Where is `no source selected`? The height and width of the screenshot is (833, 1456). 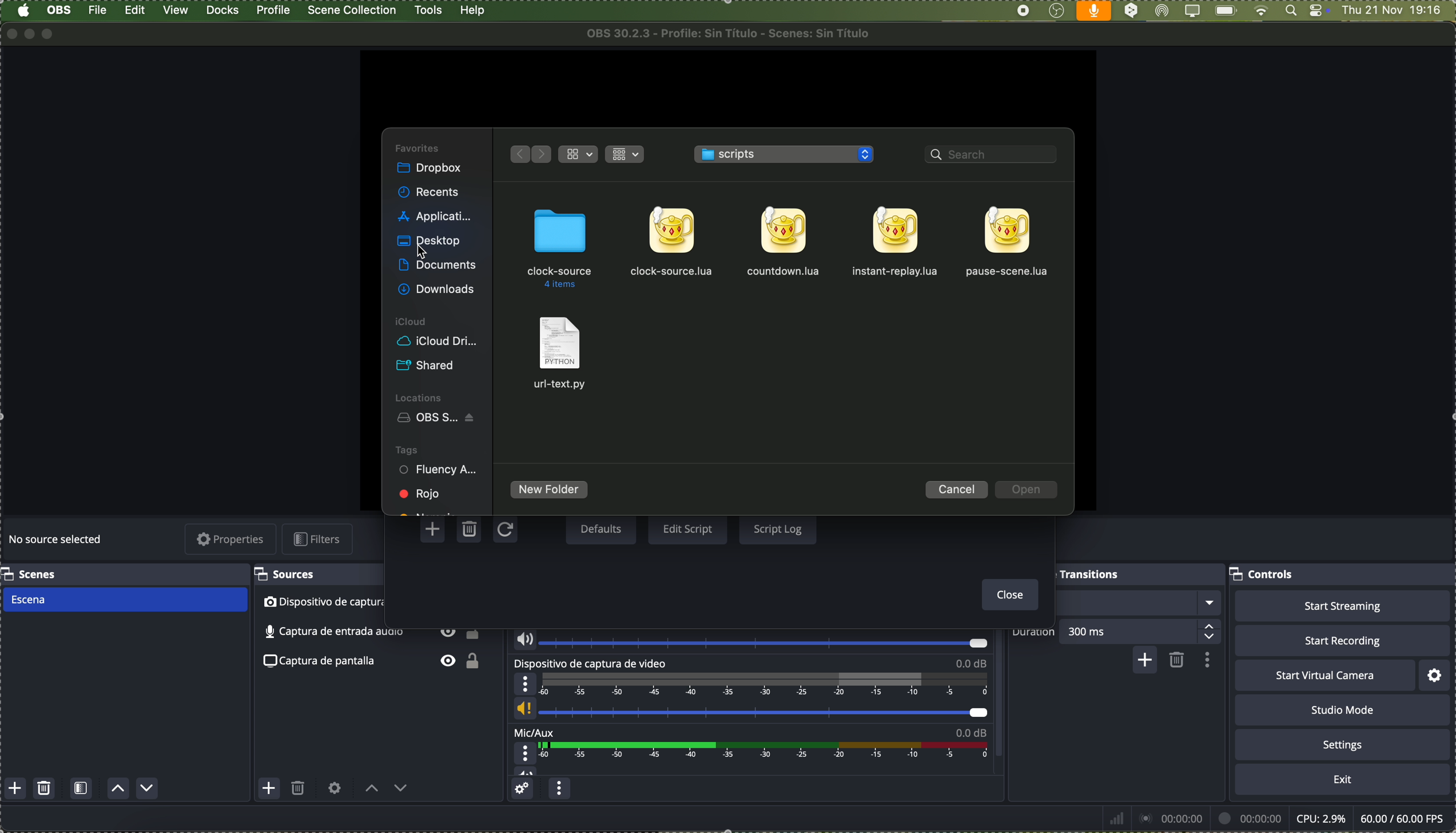 no source selected is located at coordinates (57, 541).